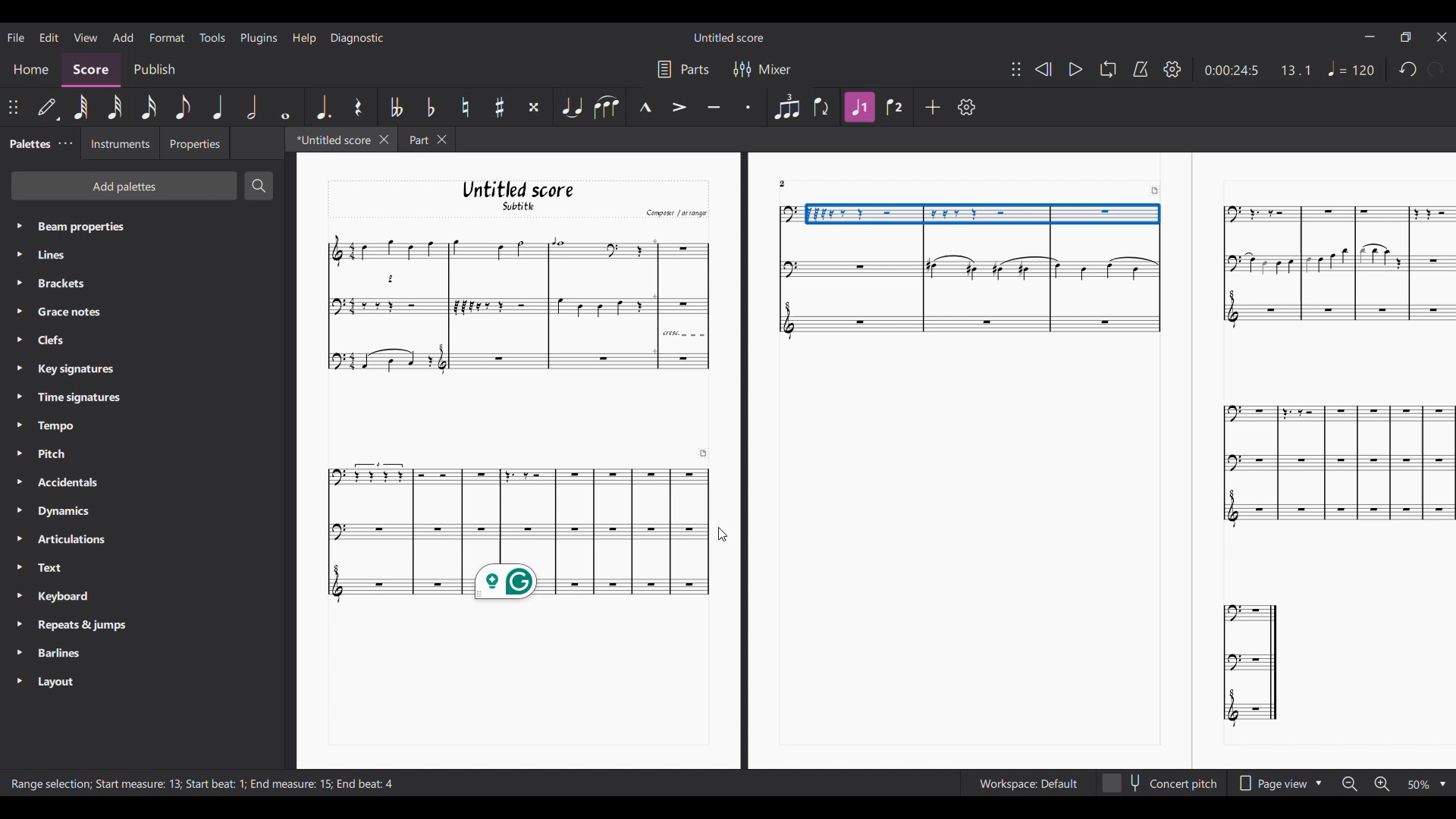 Image resolution: width=1456 pixels, height=819 pixels. Describe the element at coordinates (27, 142) in the screenshot. I see `Palettes ` at that location.